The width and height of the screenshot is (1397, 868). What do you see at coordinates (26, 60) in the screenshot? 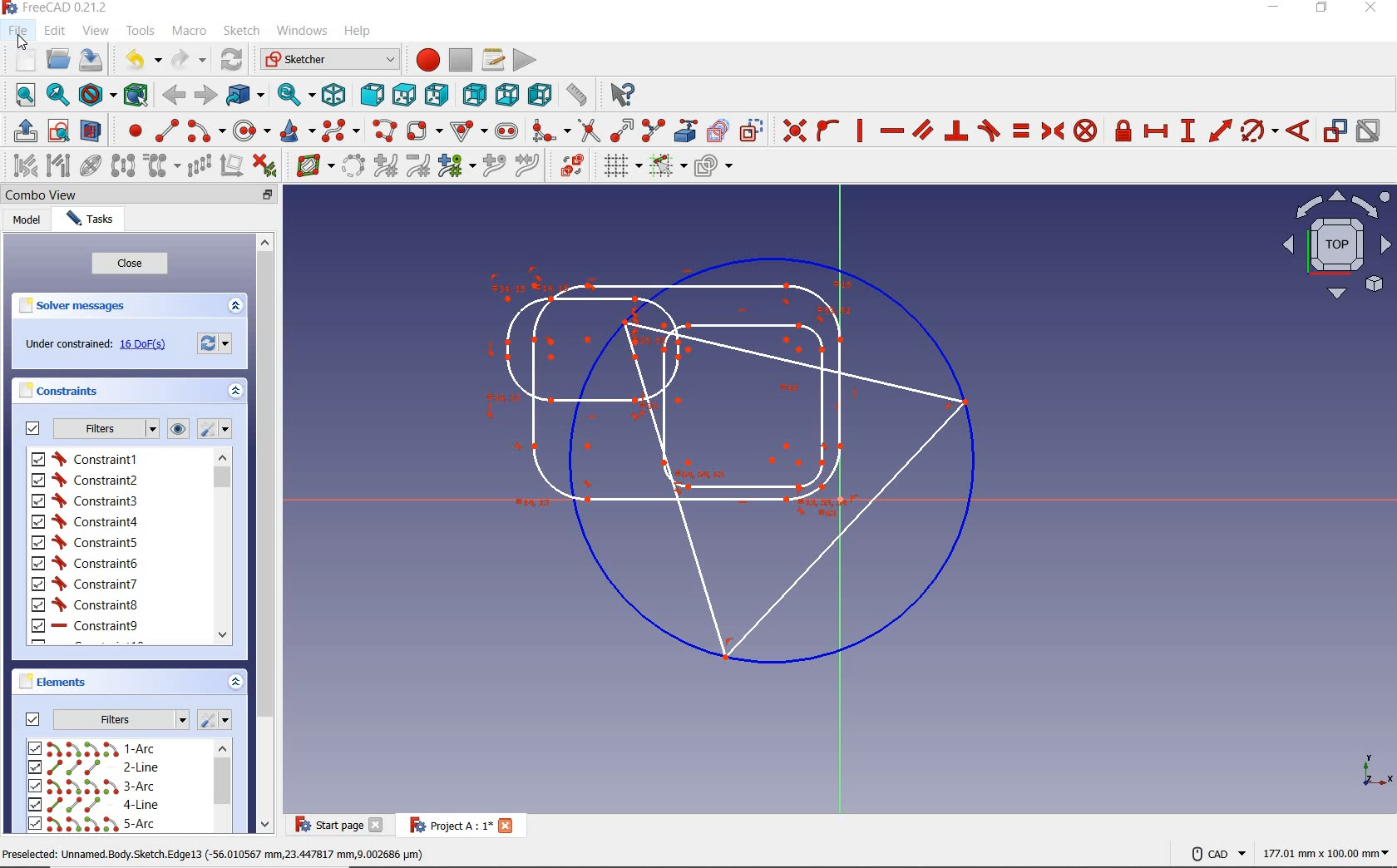
I see `new ` at bounding box center [26, 60].